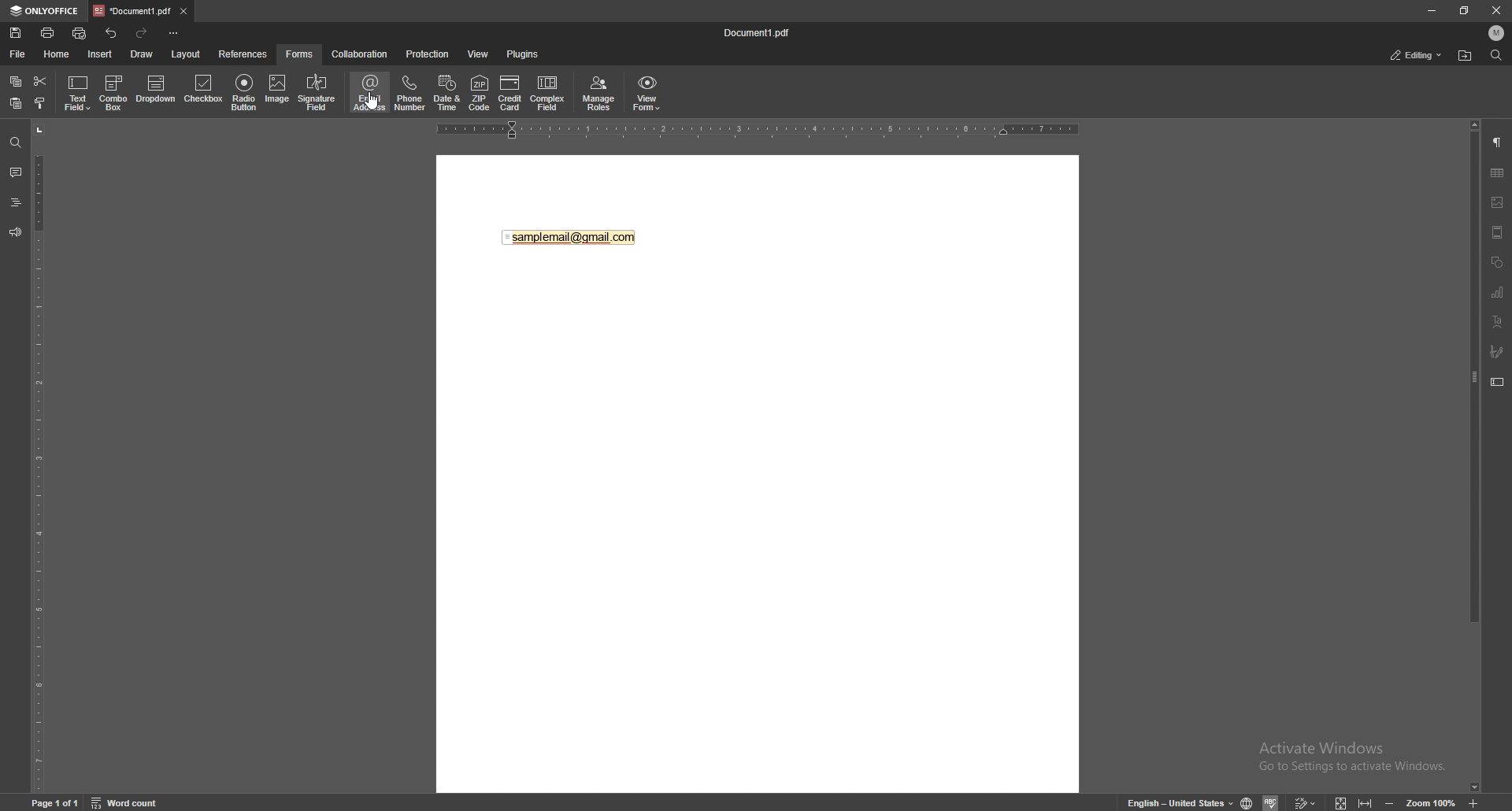 The width and height of the screenshot is (1512, 811). What do you see at coordinates (1466, 55) in the screenshot?
I see `find location` at bounding box center [1466, 55].